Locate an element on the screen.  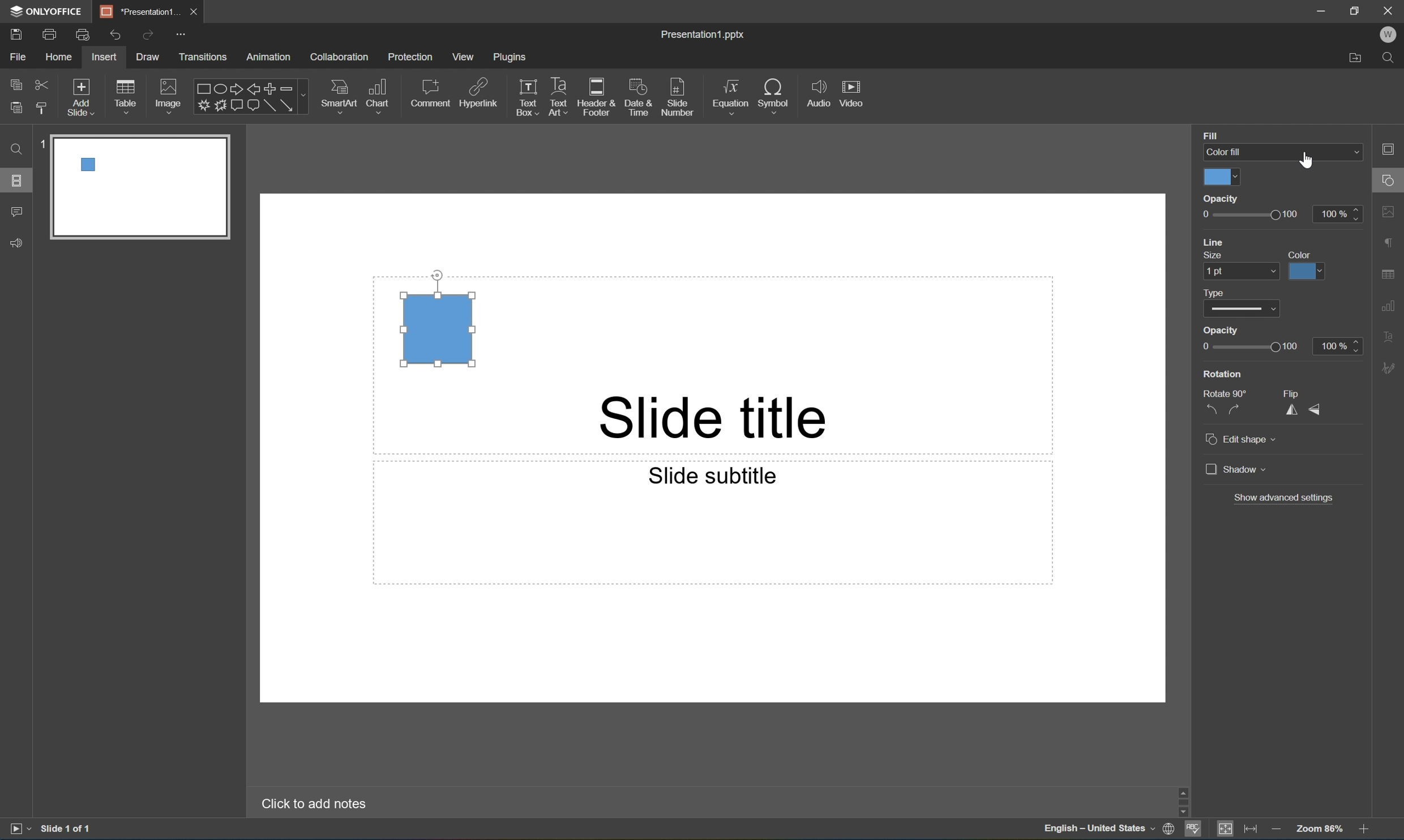
Shadow is located at coordinates (1236, 469).